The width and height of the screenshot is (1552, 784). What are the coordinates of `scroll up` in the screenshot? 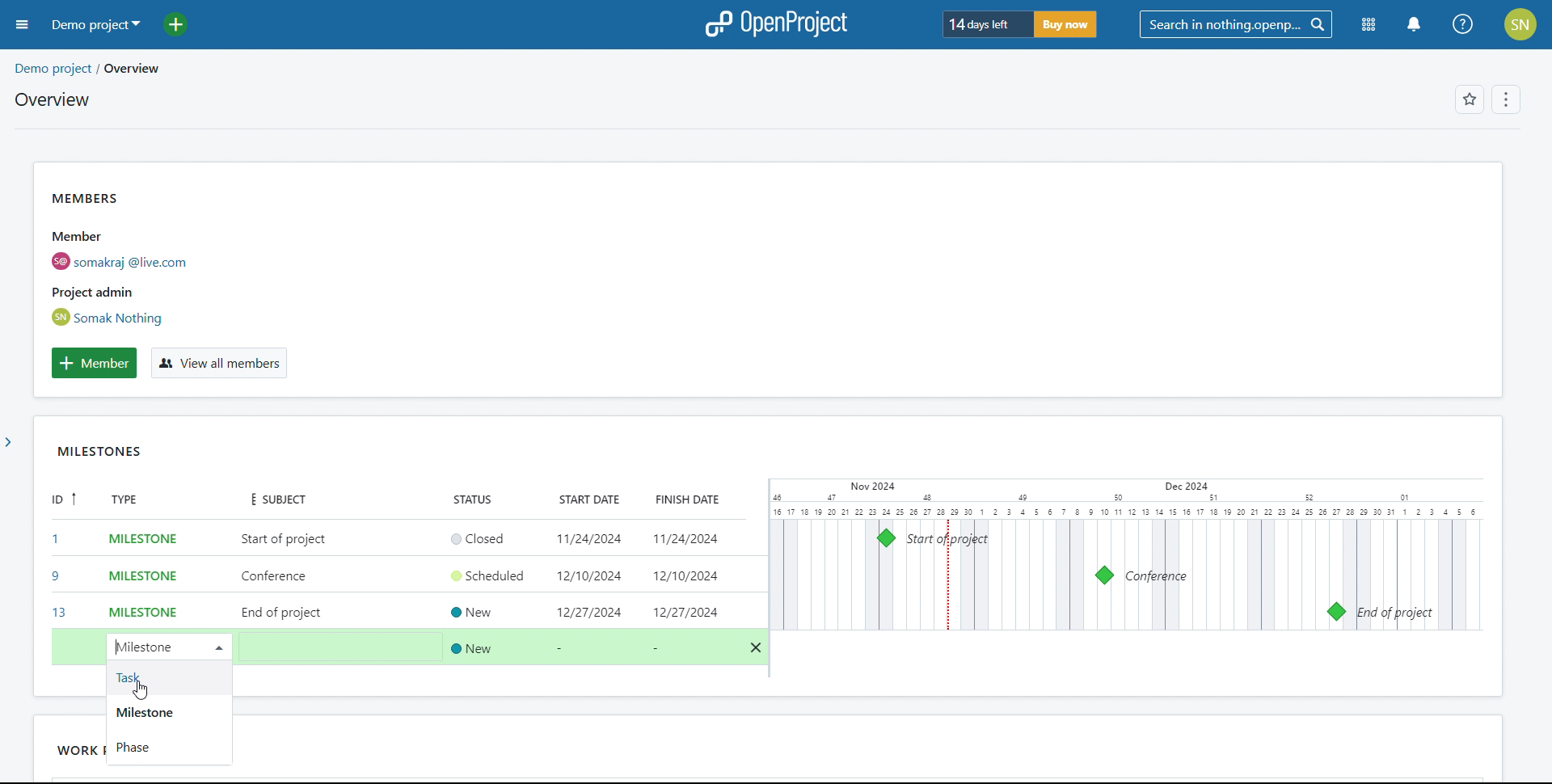 It's located at (1541, 57).